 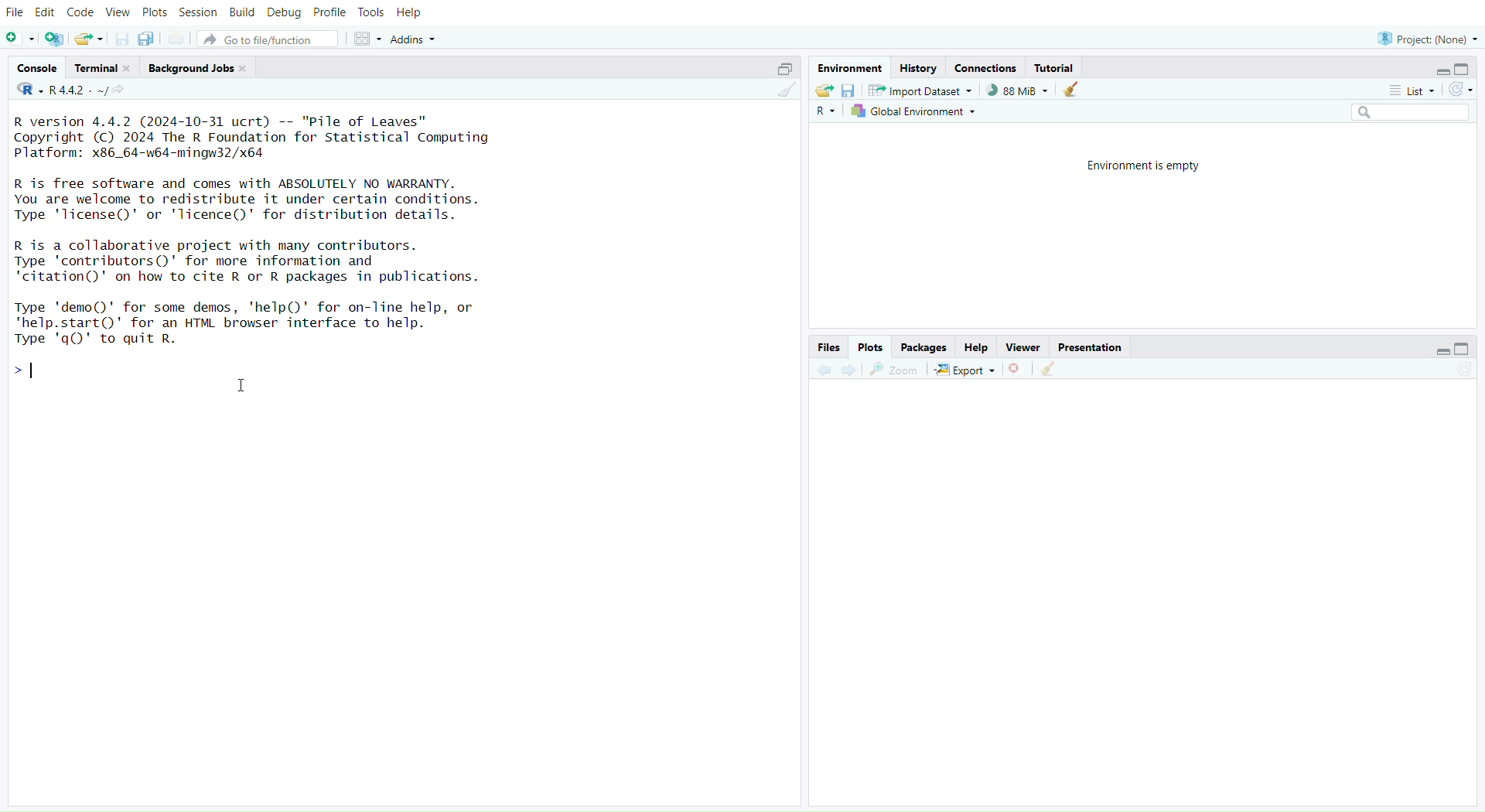 I want to click on environment, so click(x=850, y=70).